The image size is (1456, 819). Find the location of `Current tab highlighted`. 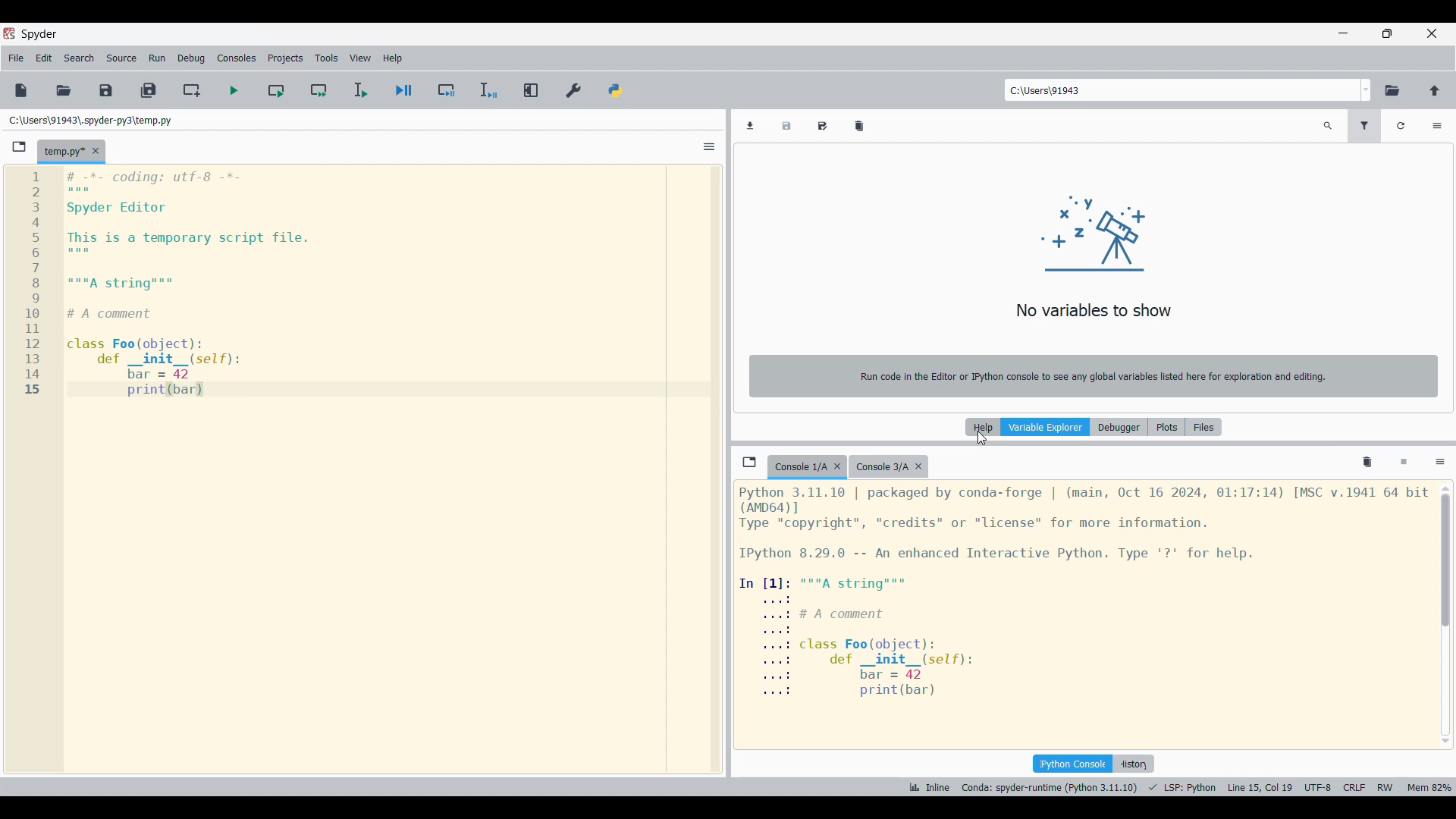

Current tab highlighted is located at coordinates (799, 467).